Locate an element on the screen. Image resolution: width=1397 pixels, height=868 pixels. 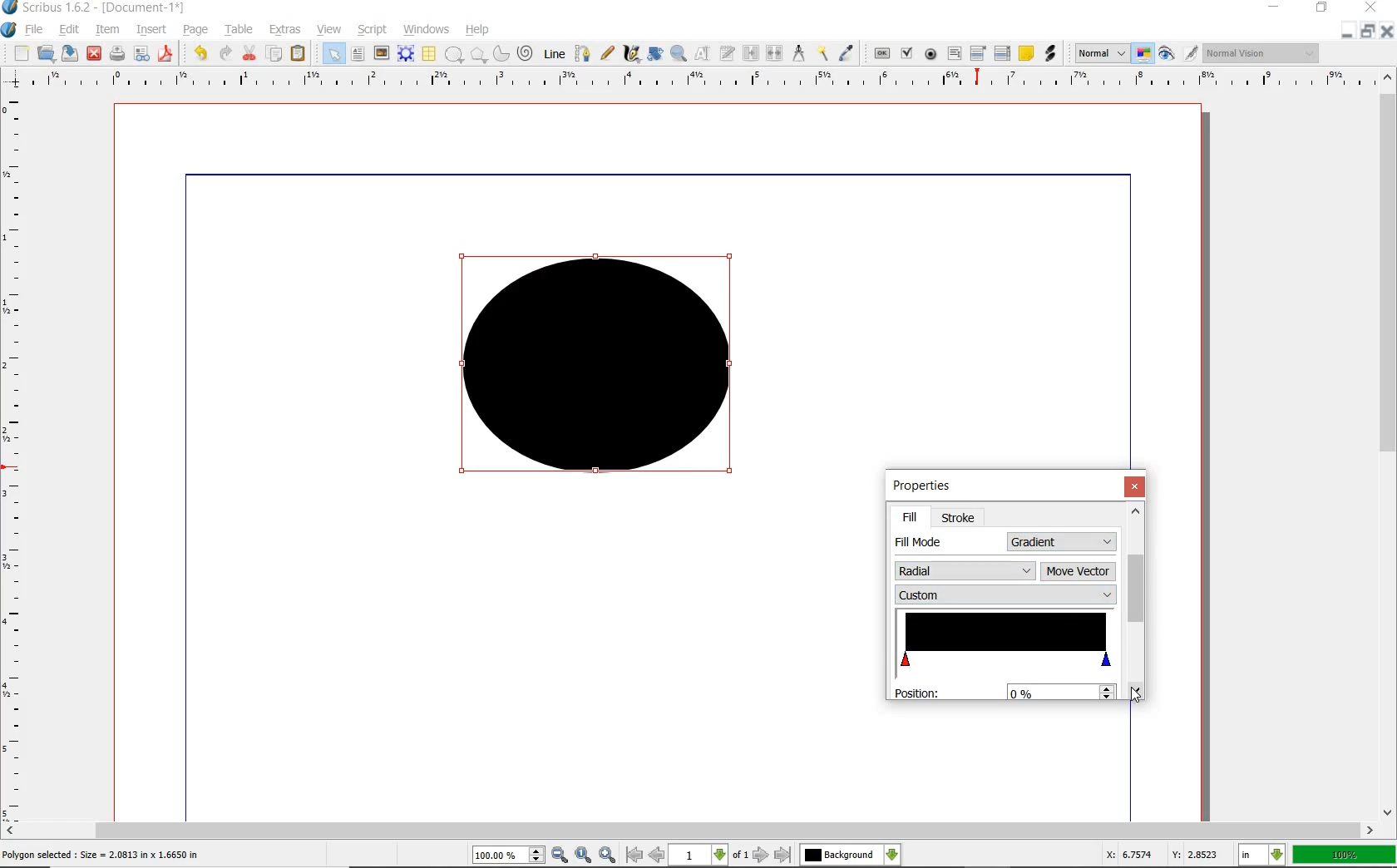
SCROLLBAR is located at coordinates (689, 831).